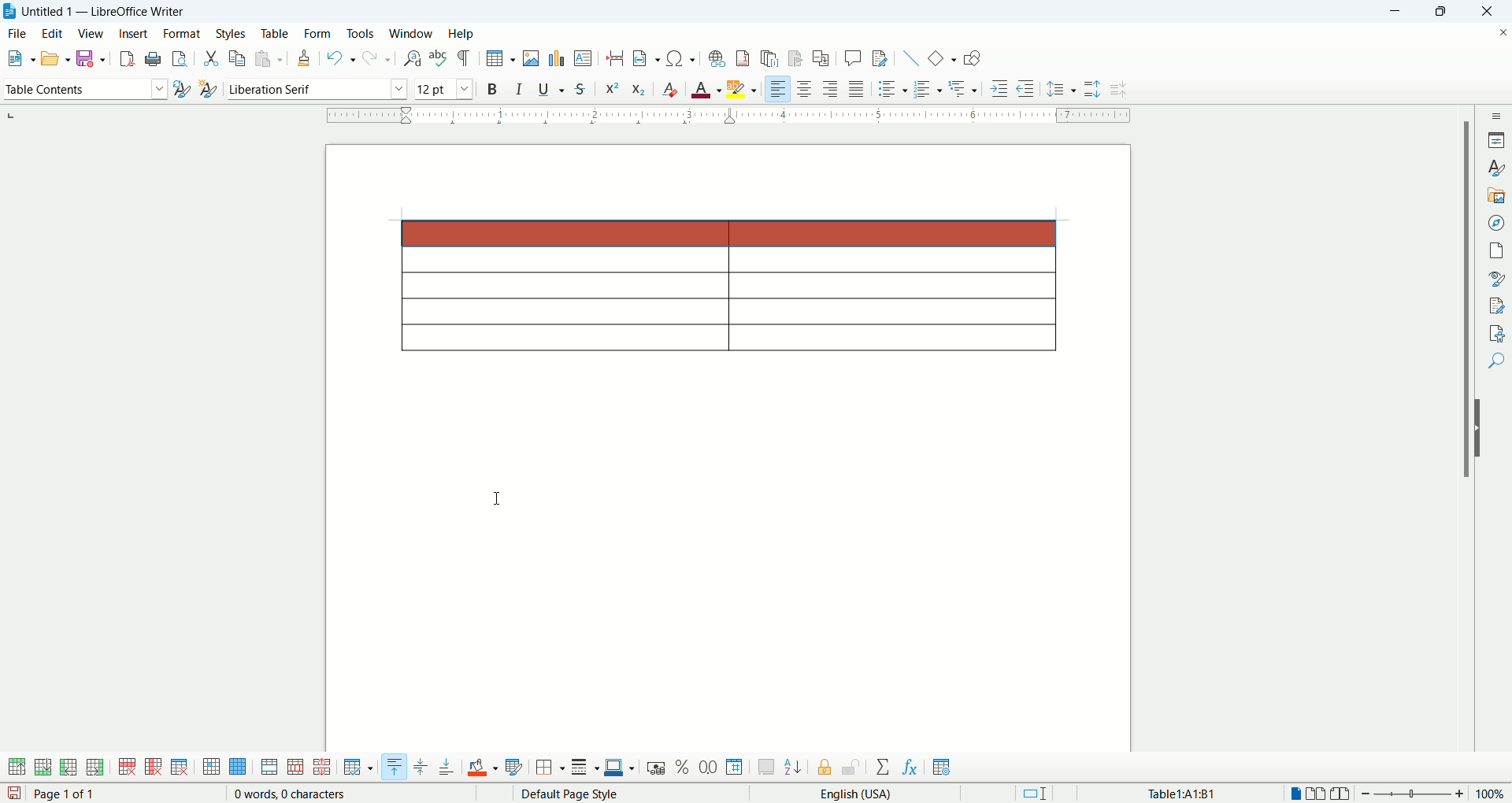 The image size is (1512, 803). I want to click on , so click(965, 87).